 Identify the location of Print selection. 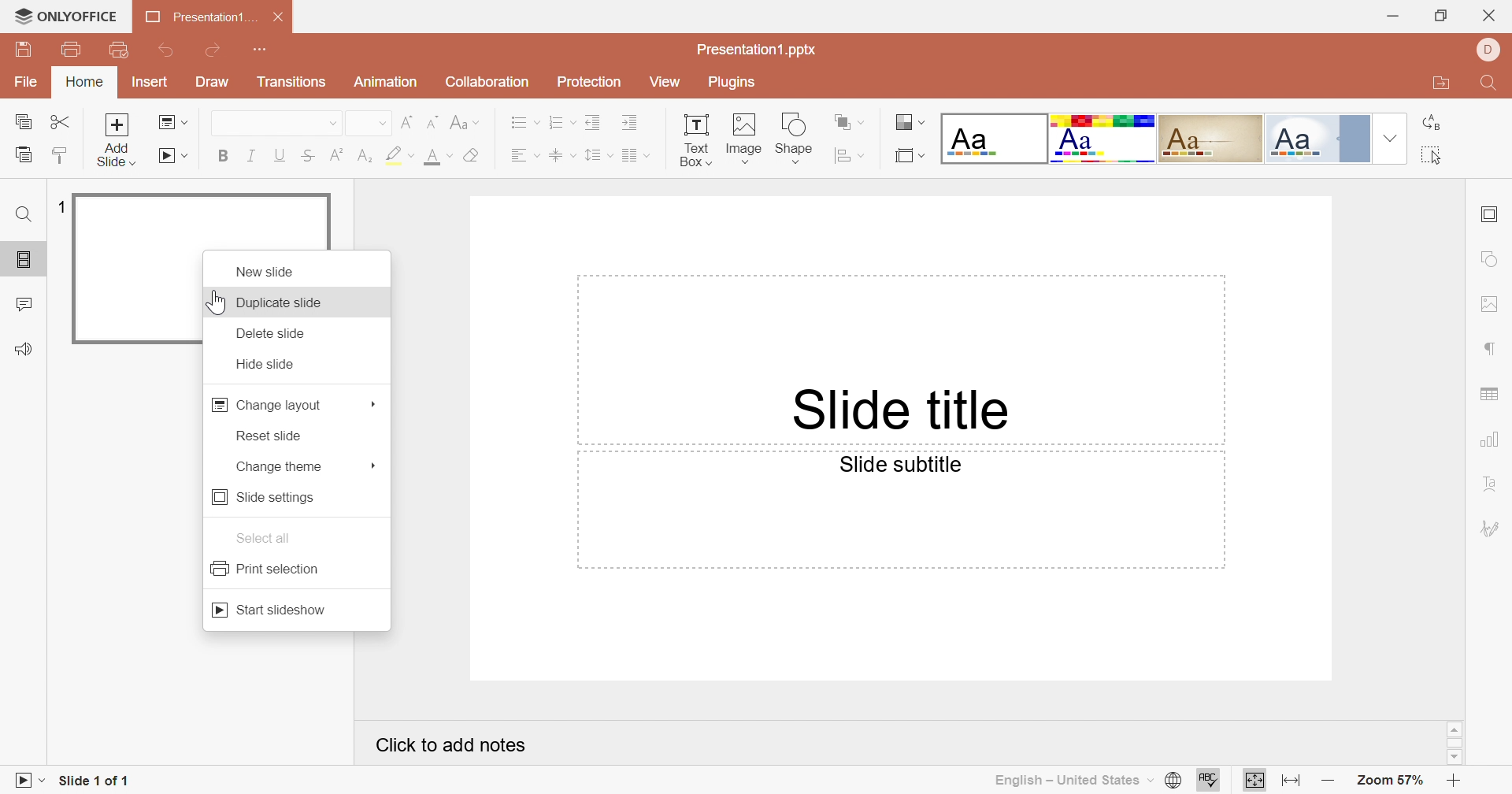
(271, 569).